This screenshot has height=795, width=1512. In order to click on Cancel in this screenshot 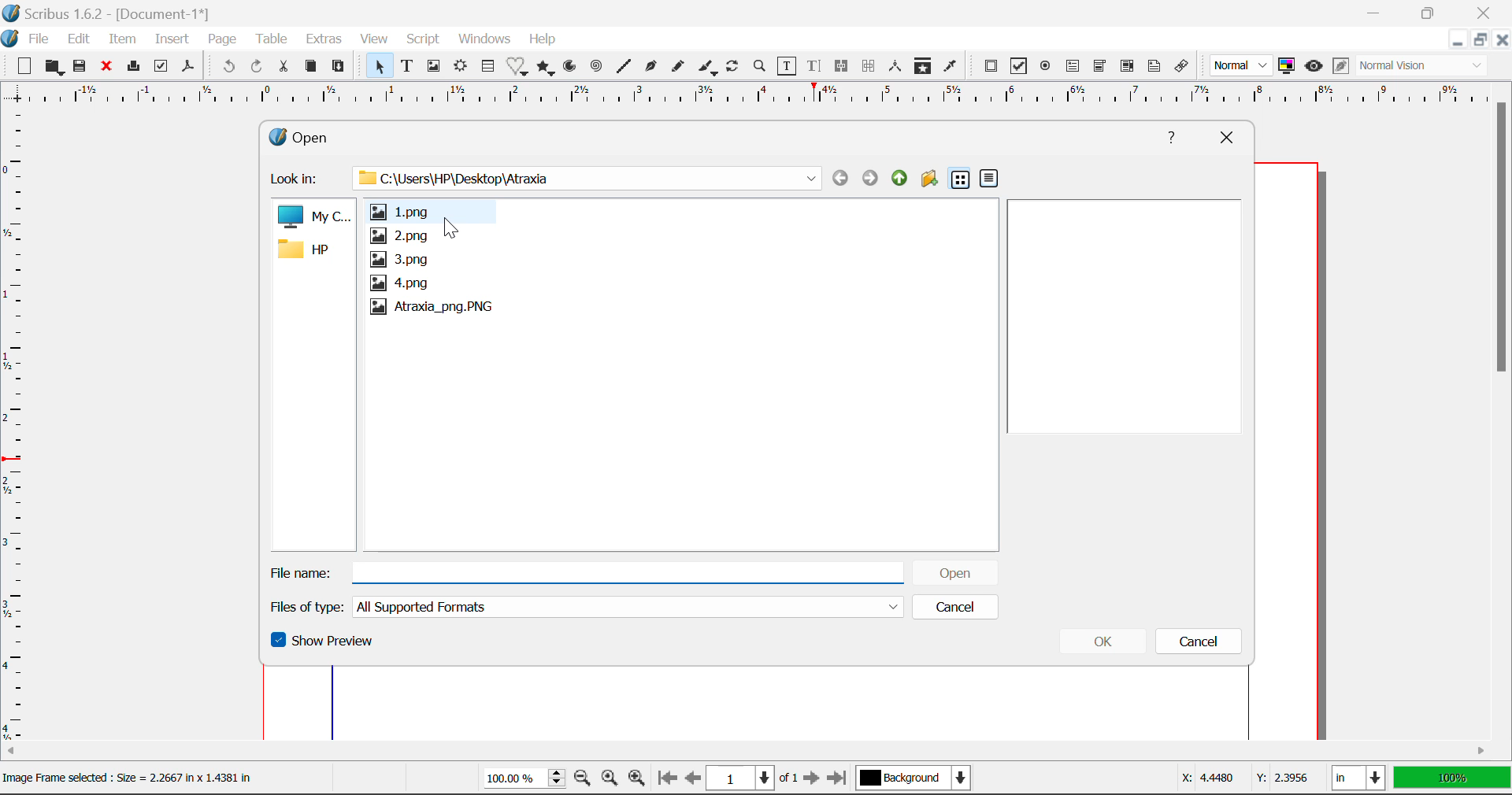, I will do `click(1203, 644)`.